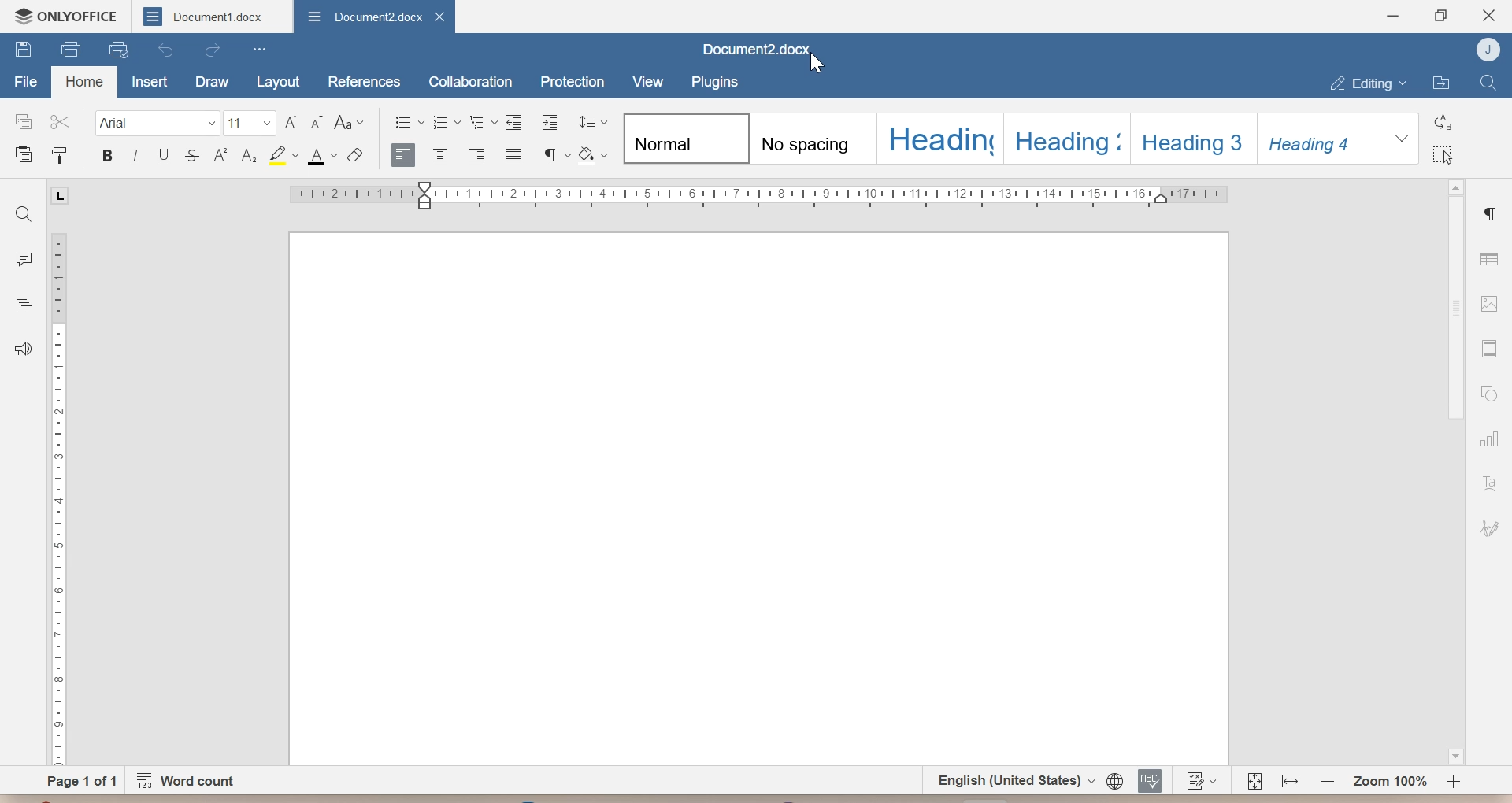 The width and height of the screenshot is (1512, 803). I want to click on Align center, so click(442, 155).